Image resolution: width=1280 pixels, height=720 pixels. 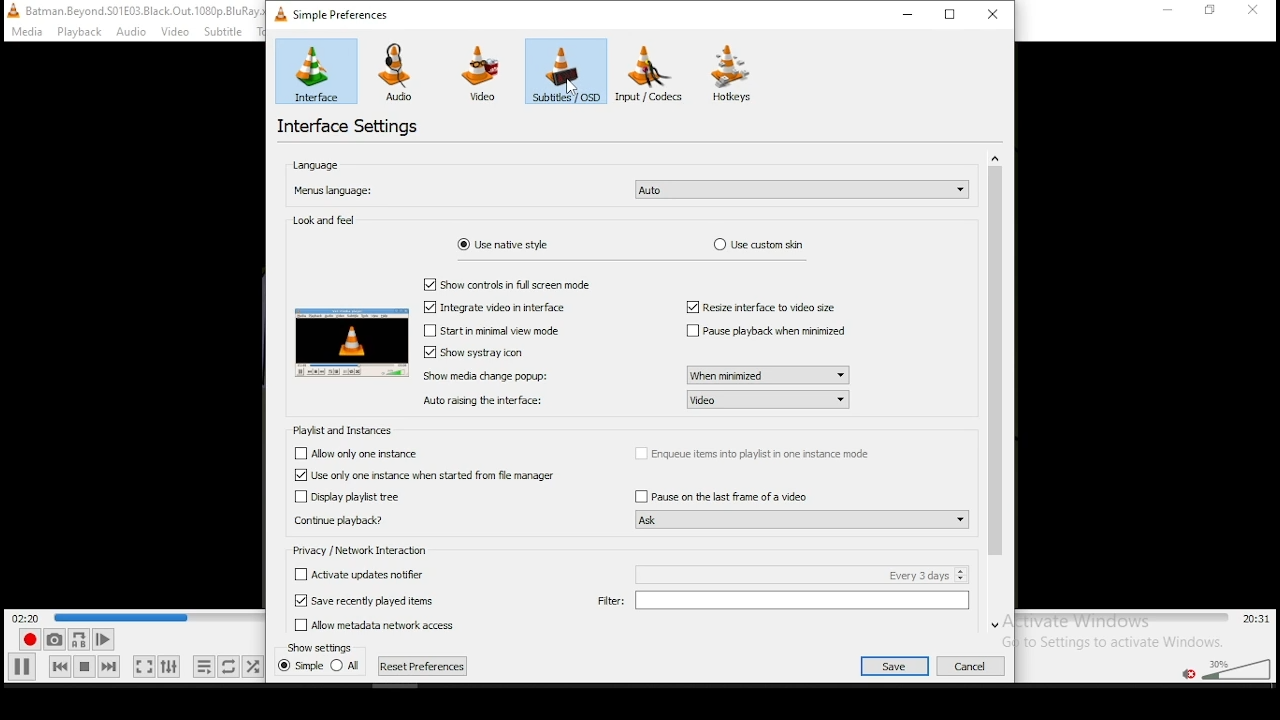 I want to click on checkbox: use only one instance when started from file manager, so click(x=429, y=476).